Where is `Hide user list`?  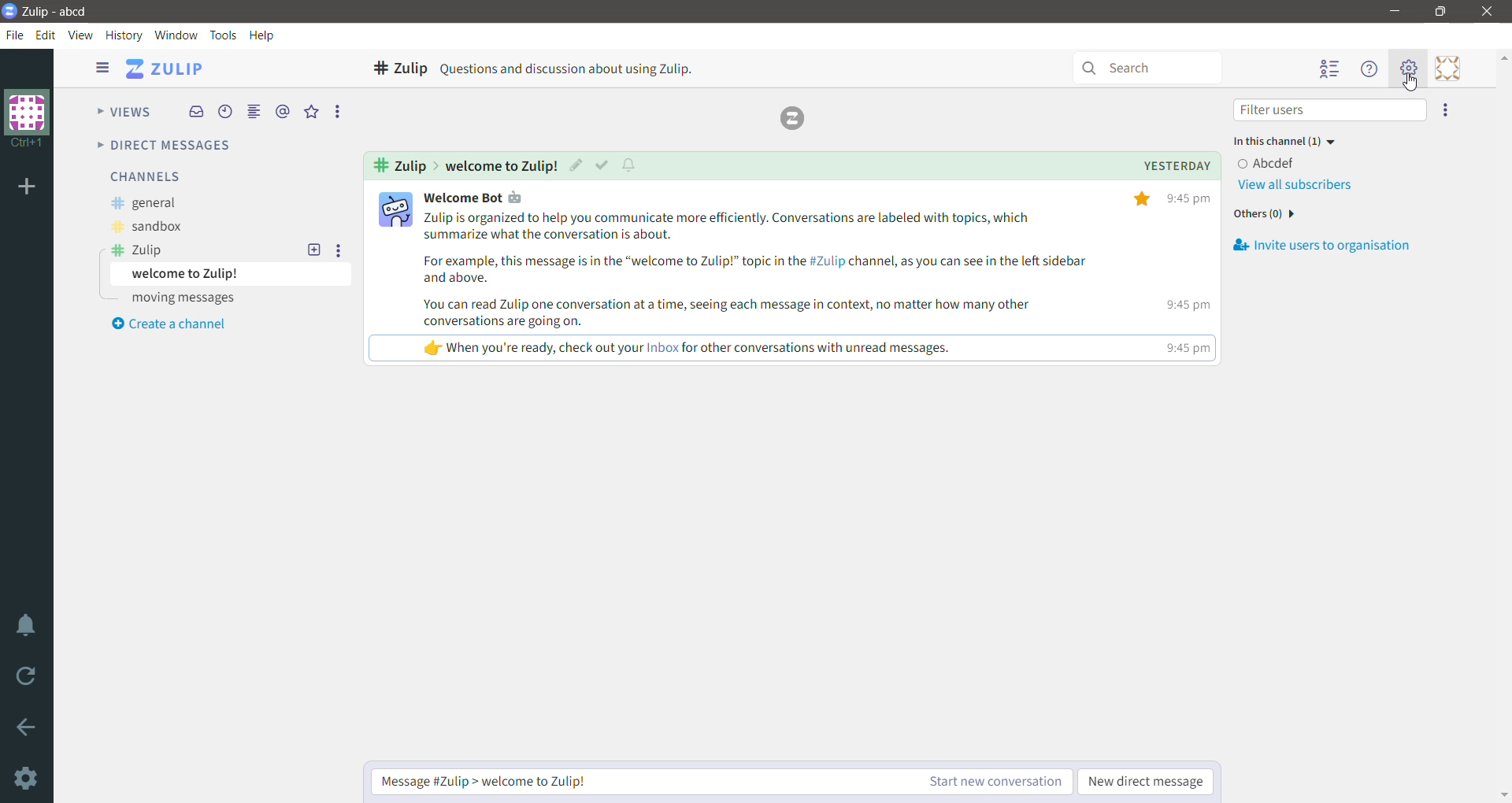 Hide user list is located at coordinates (1331, 69).